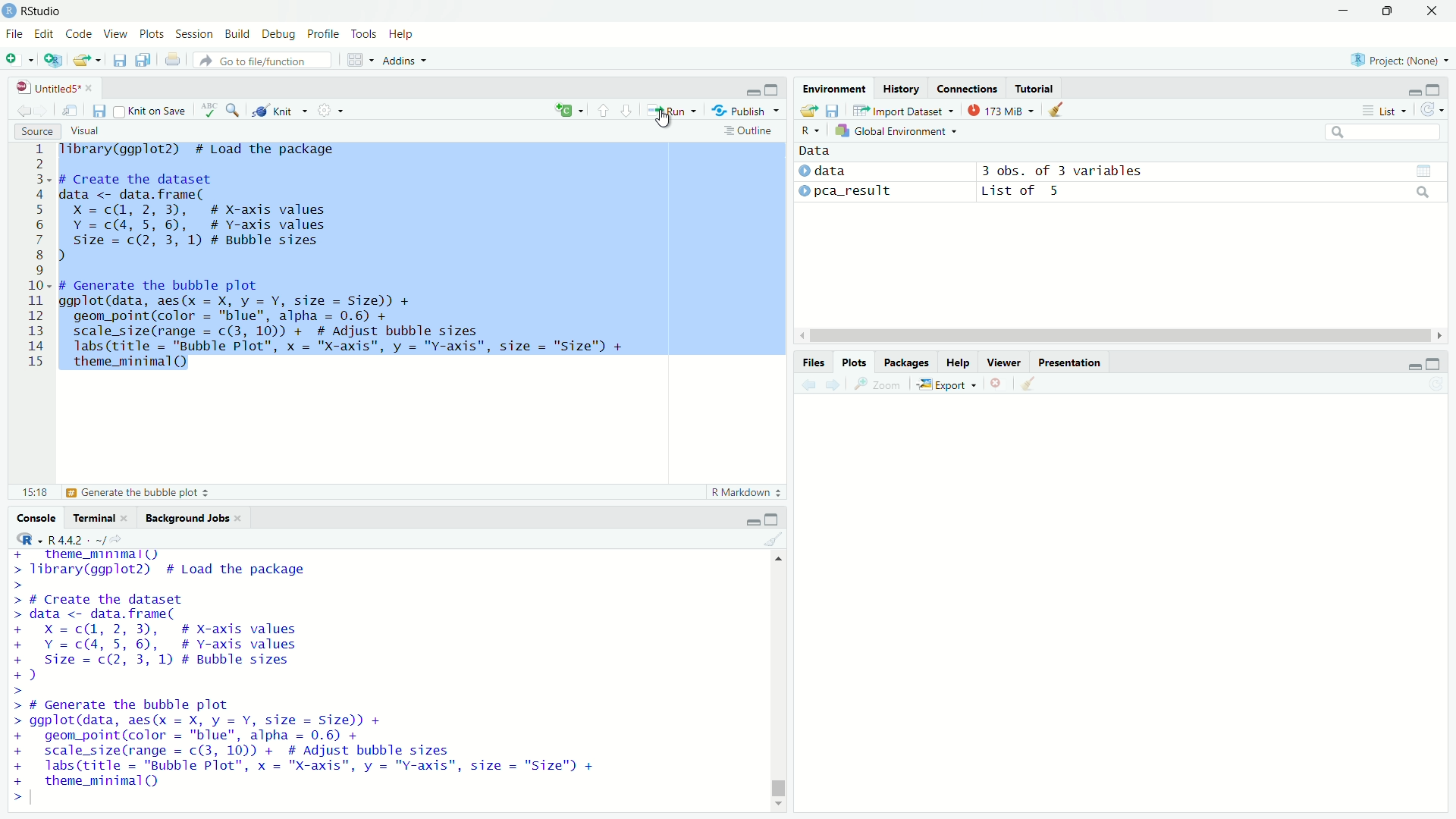  Describe the element at coordinates (604, 110) in the screenshot. I see `go to previous section` at that location.